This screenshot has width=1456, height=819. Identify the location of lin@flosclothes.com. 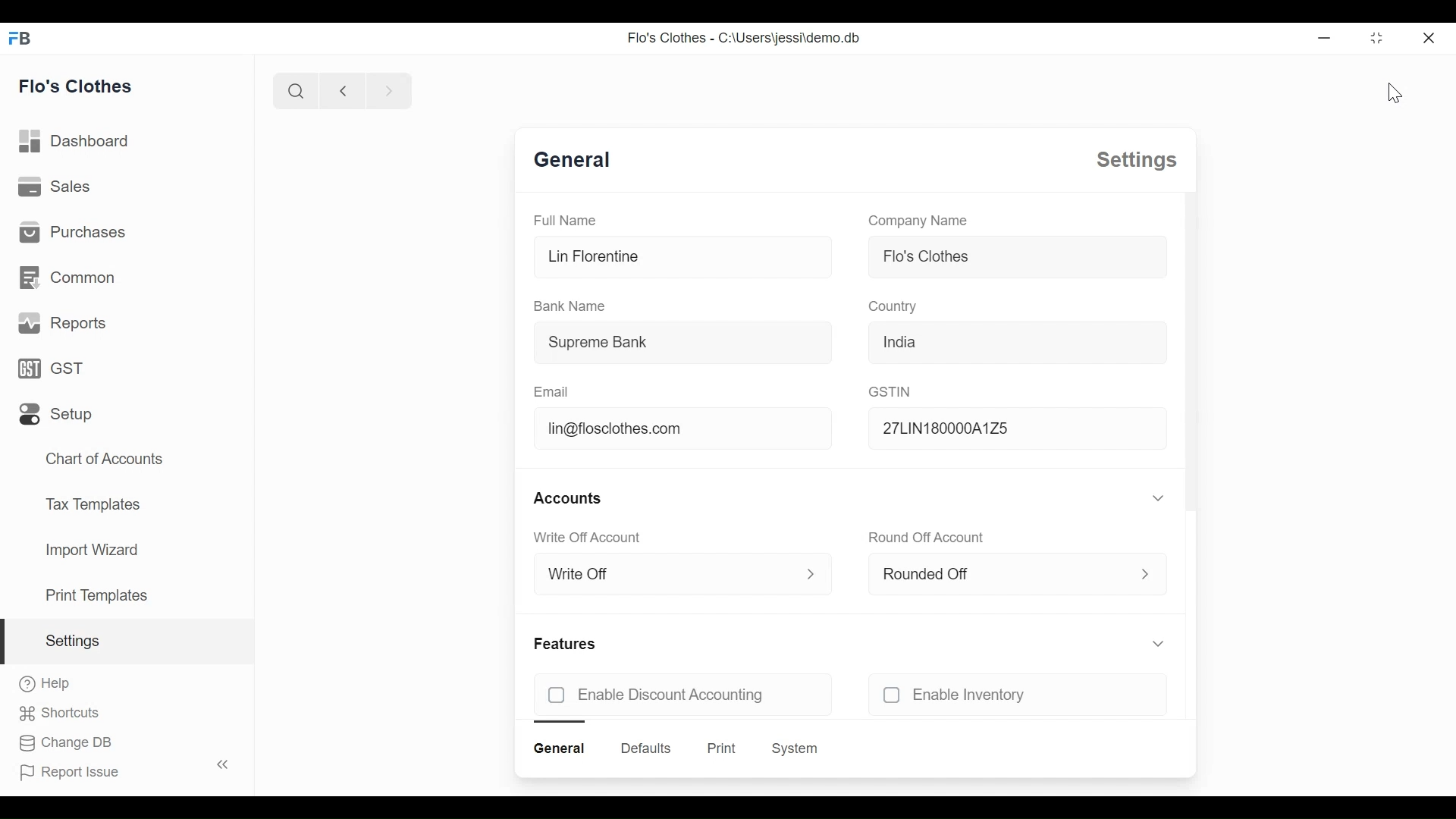
(610, 428).